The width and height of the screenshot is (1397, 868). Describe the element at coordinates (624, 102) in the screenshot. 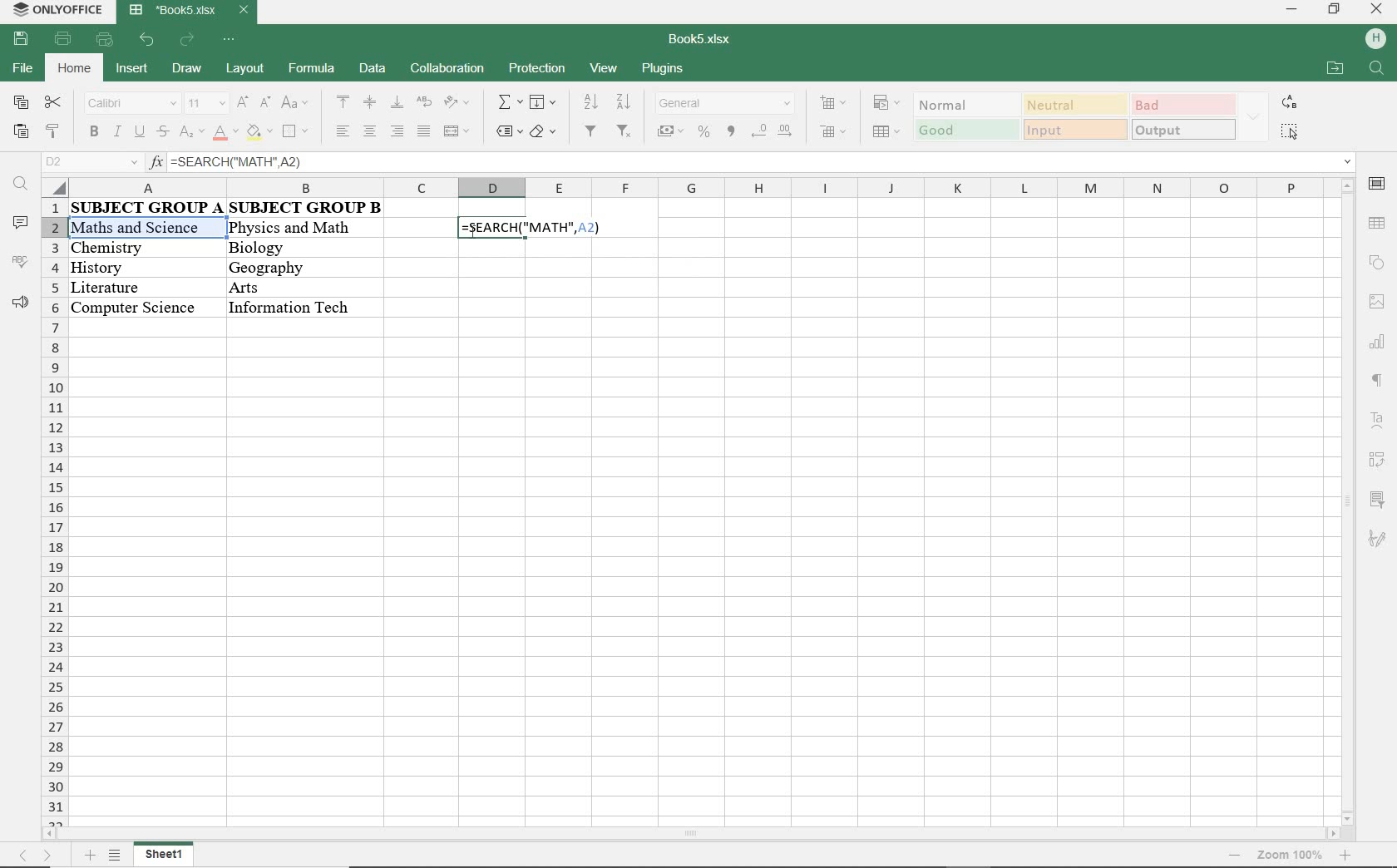

I see `sort descending` at that location.